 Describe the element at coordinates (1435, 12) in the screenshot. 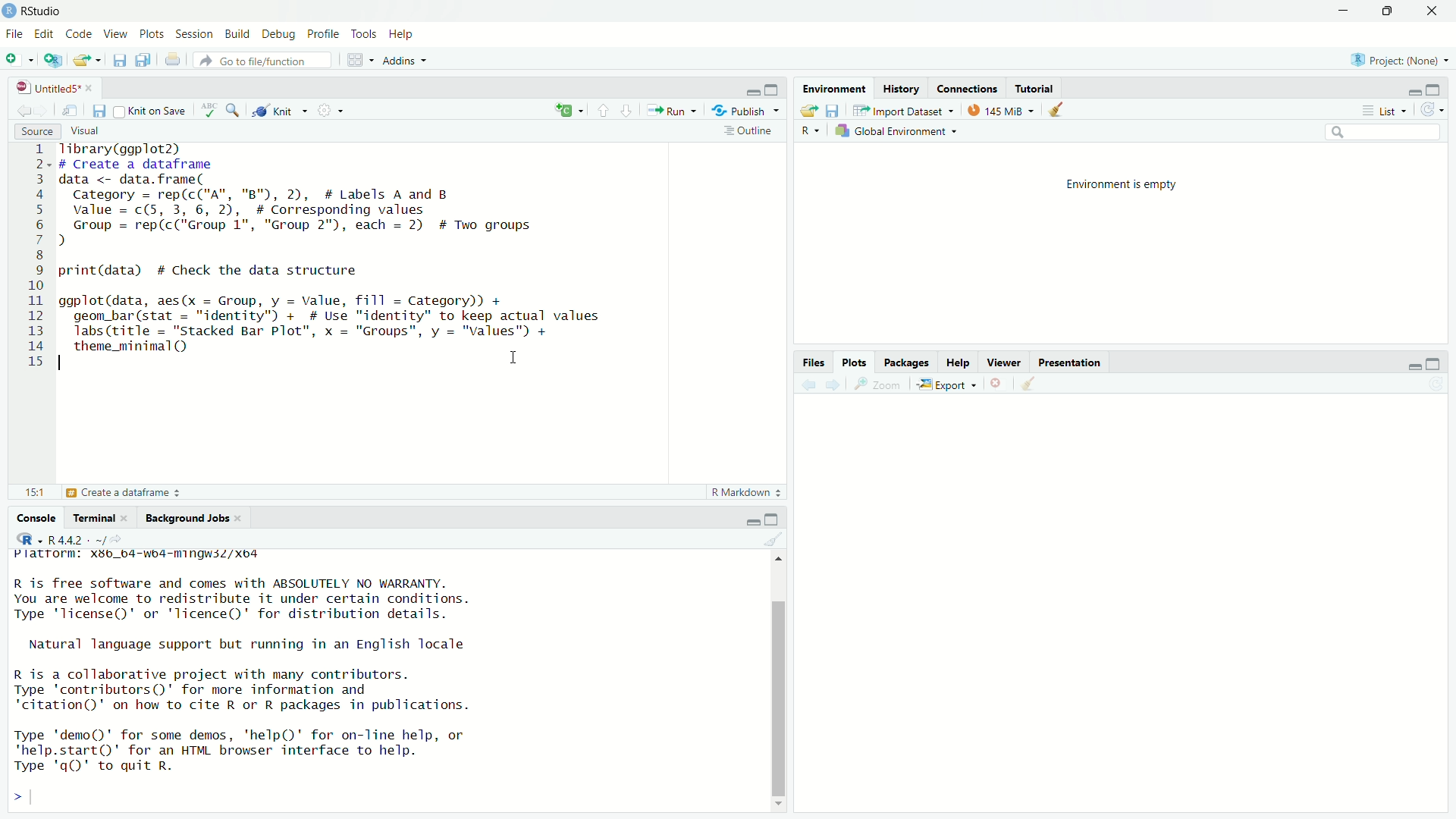

I see `Close` at that location.